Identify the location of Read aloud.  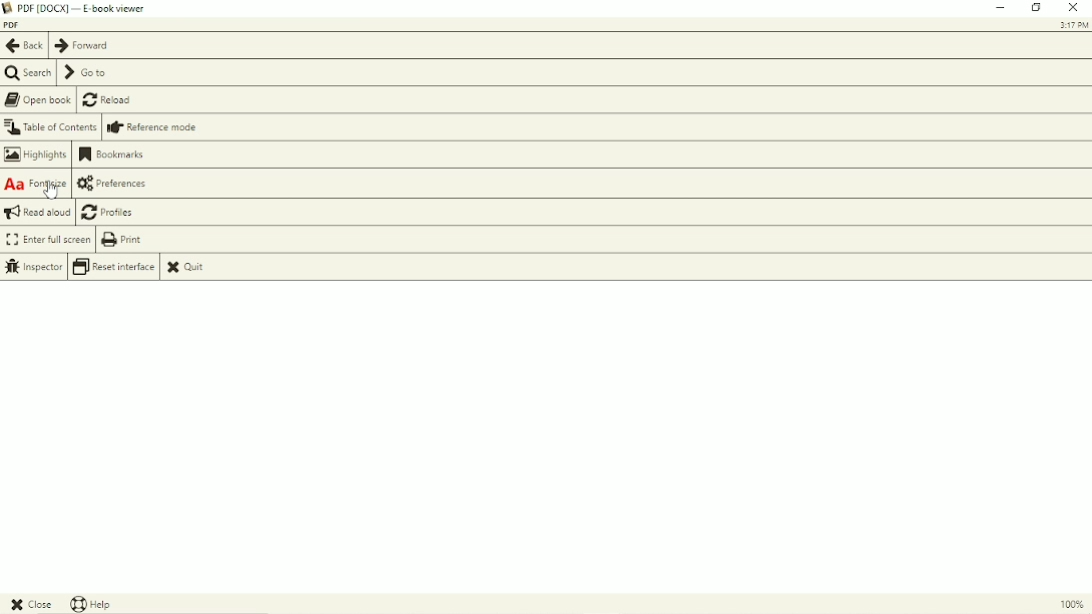
(38, 213).